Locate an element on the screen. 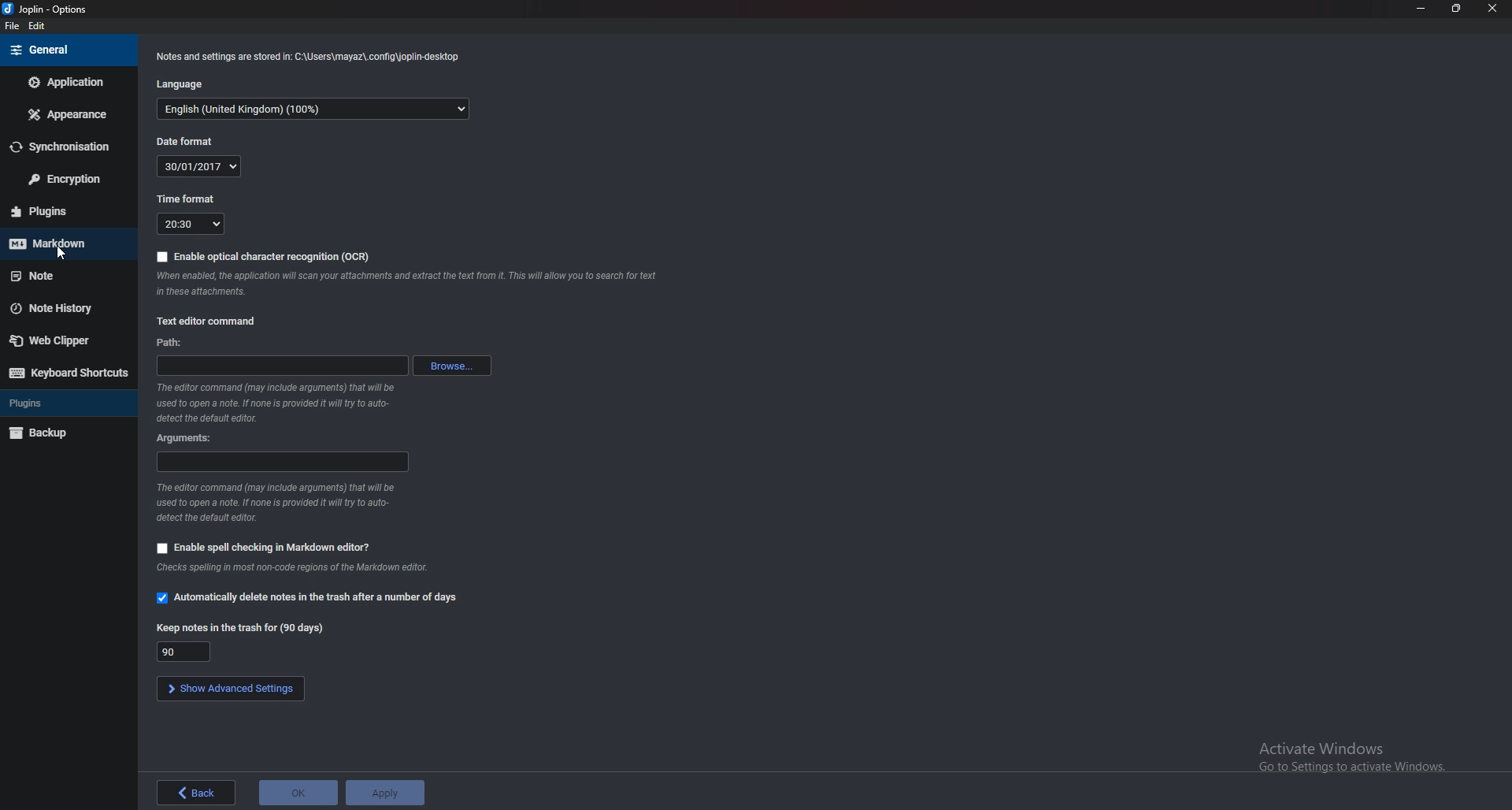 The height and width of the screenshot is (810, 1512). Keep notes in the trash for is located at coordinates (243, 629).